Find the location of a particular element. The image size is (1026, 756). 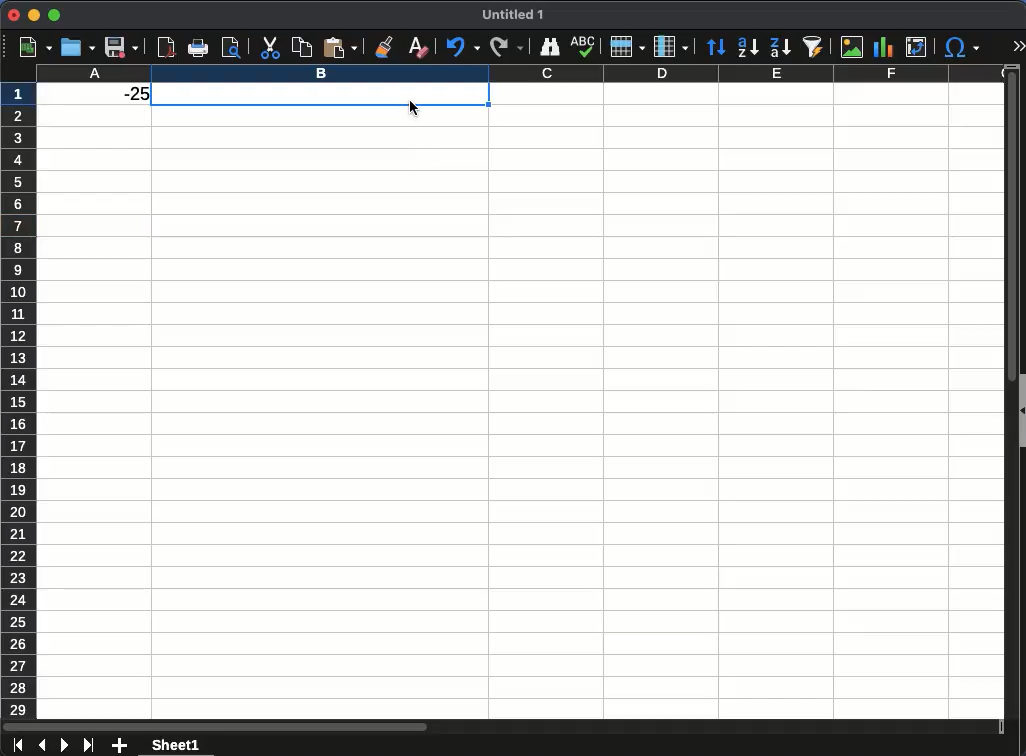

row is located at coordinates (626, 46).